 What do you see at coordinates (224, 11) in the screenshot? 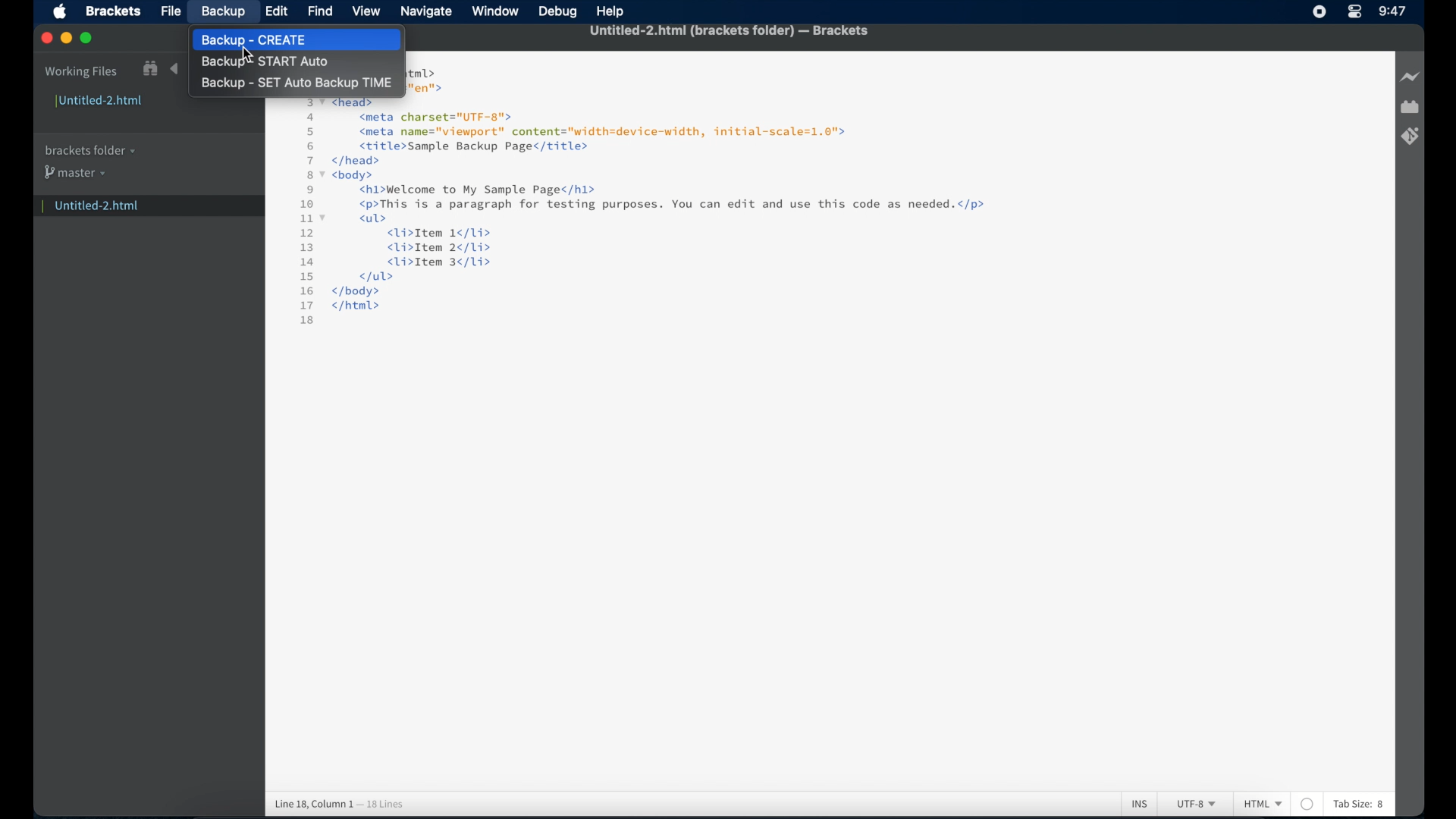
I see `backup` at bounding box center [224, 11].